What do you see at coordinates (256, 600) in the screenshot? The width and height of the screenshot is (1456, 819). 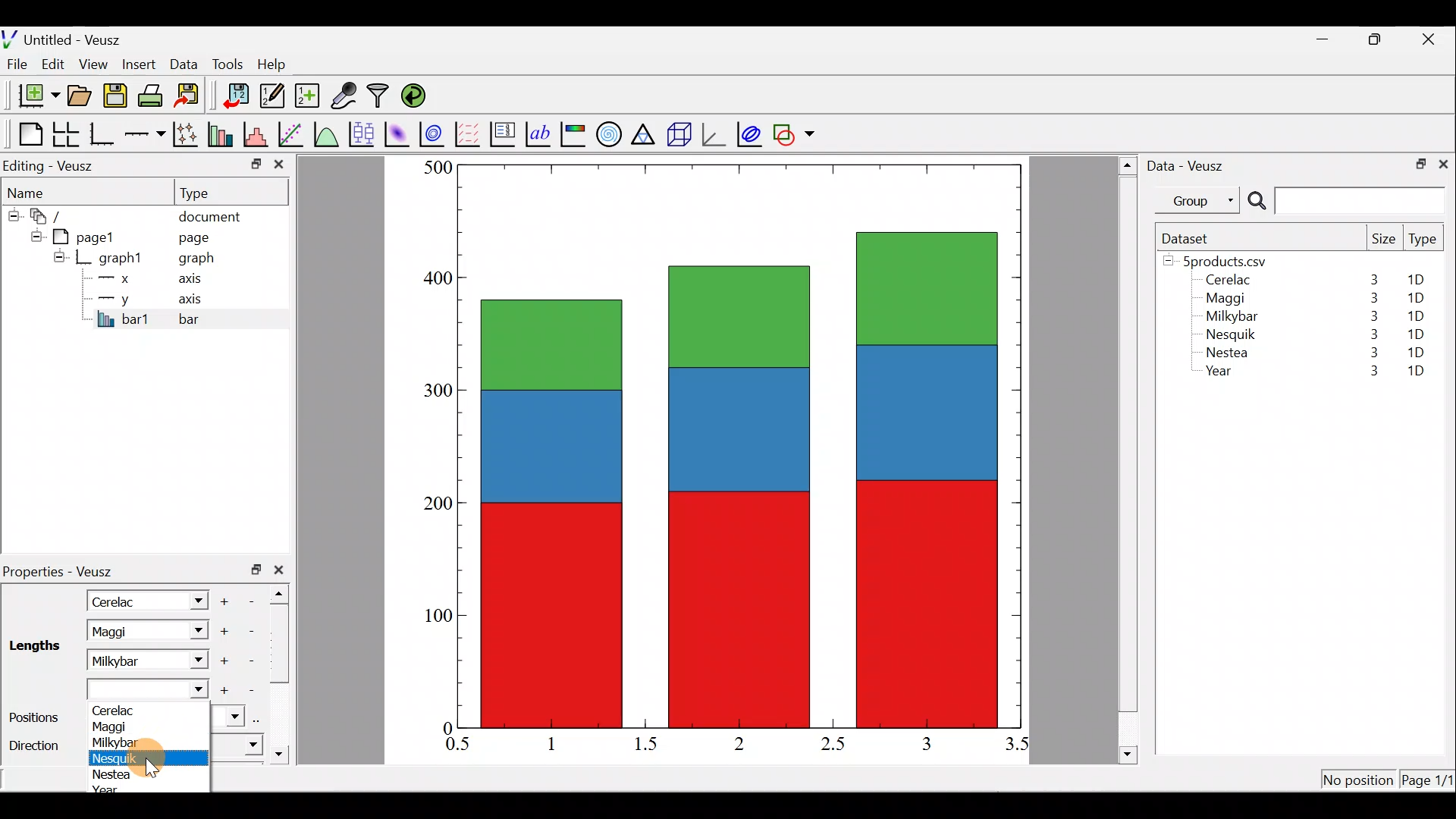 I see `Remove item` at bounding box center [256, 600].